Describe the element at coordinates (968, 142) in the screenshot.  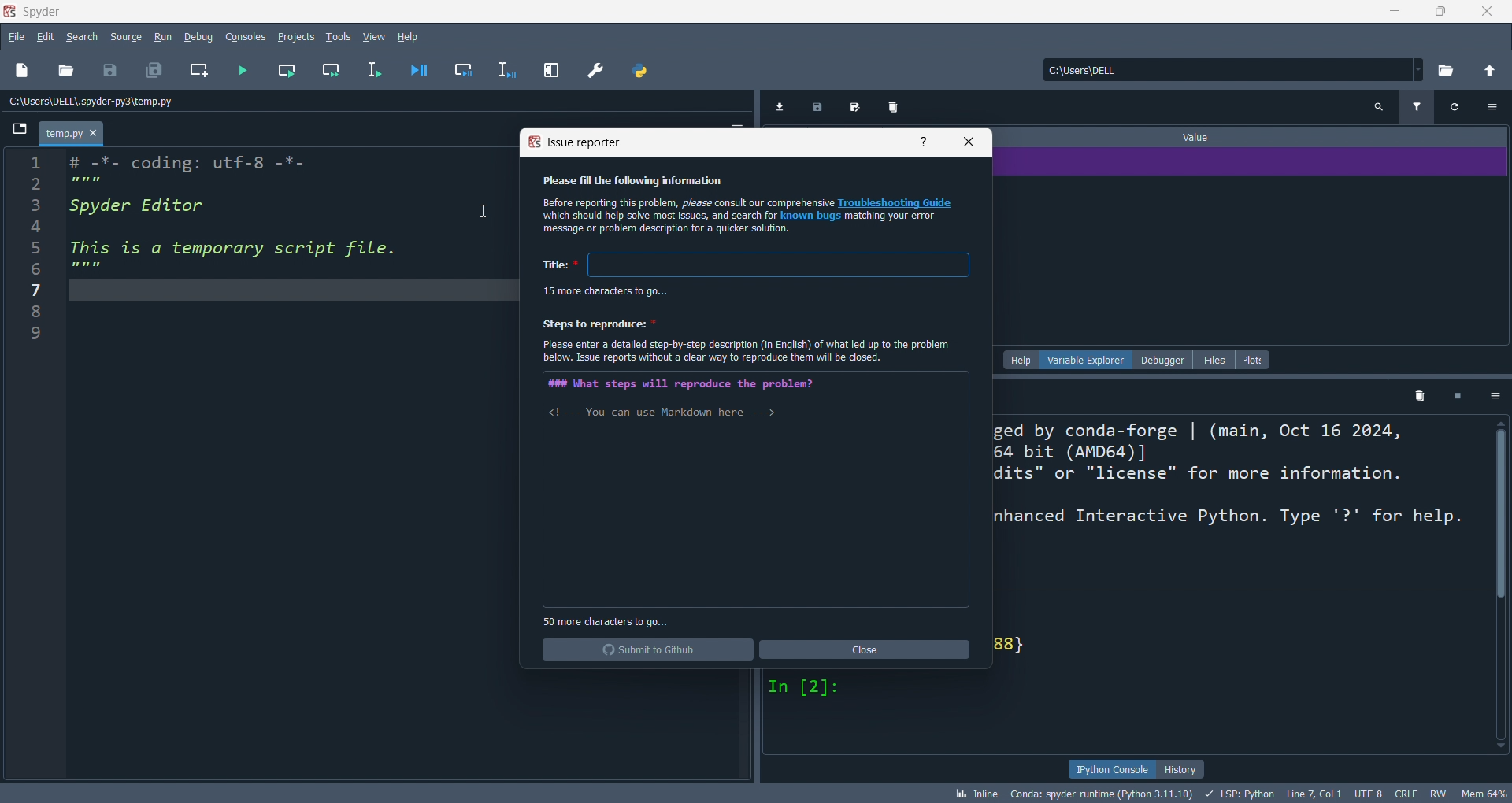
I see `close` at that location.